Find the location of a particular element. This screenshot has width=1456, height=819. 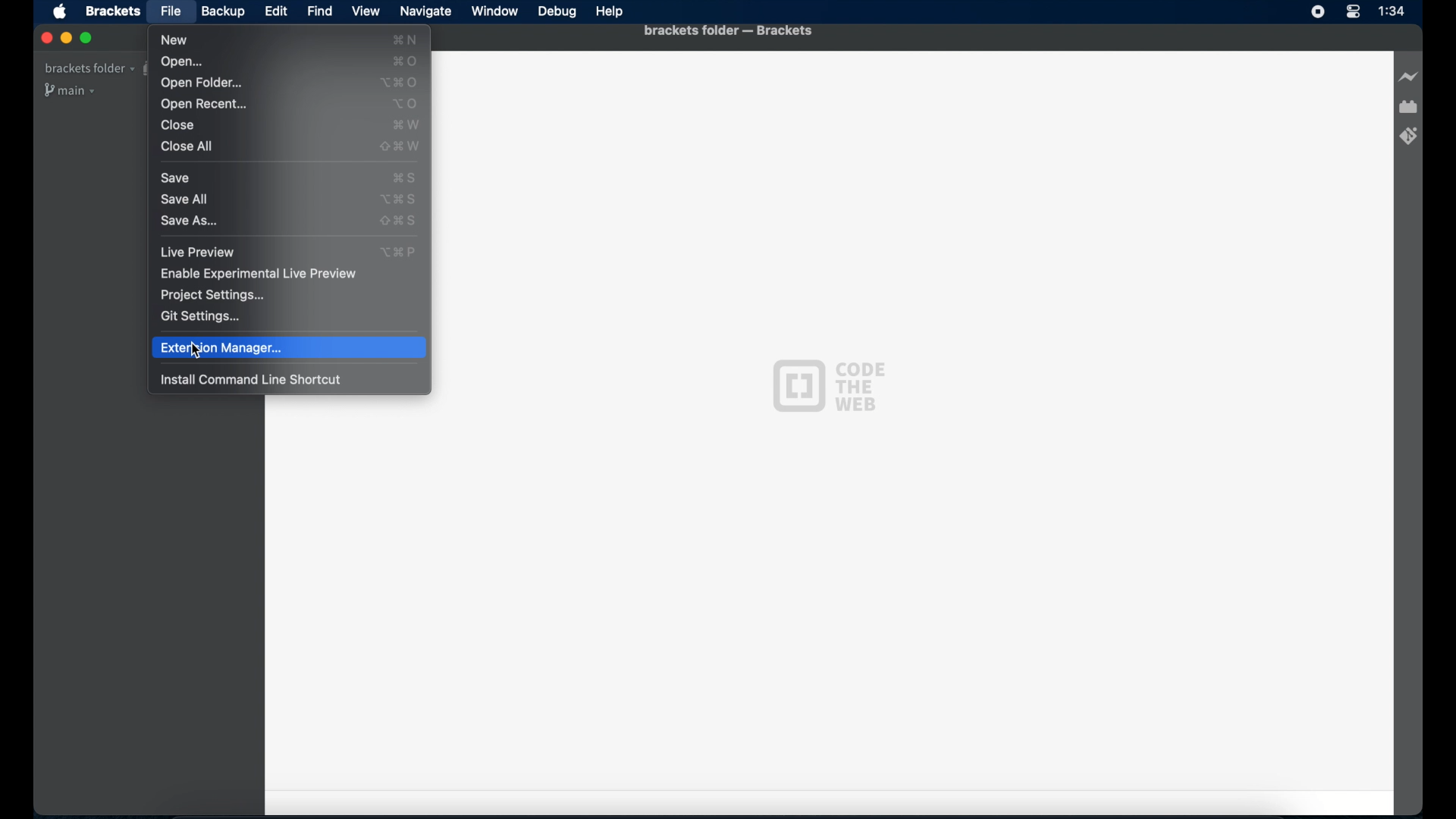

open shortcut is located at coordinates (406, 61).